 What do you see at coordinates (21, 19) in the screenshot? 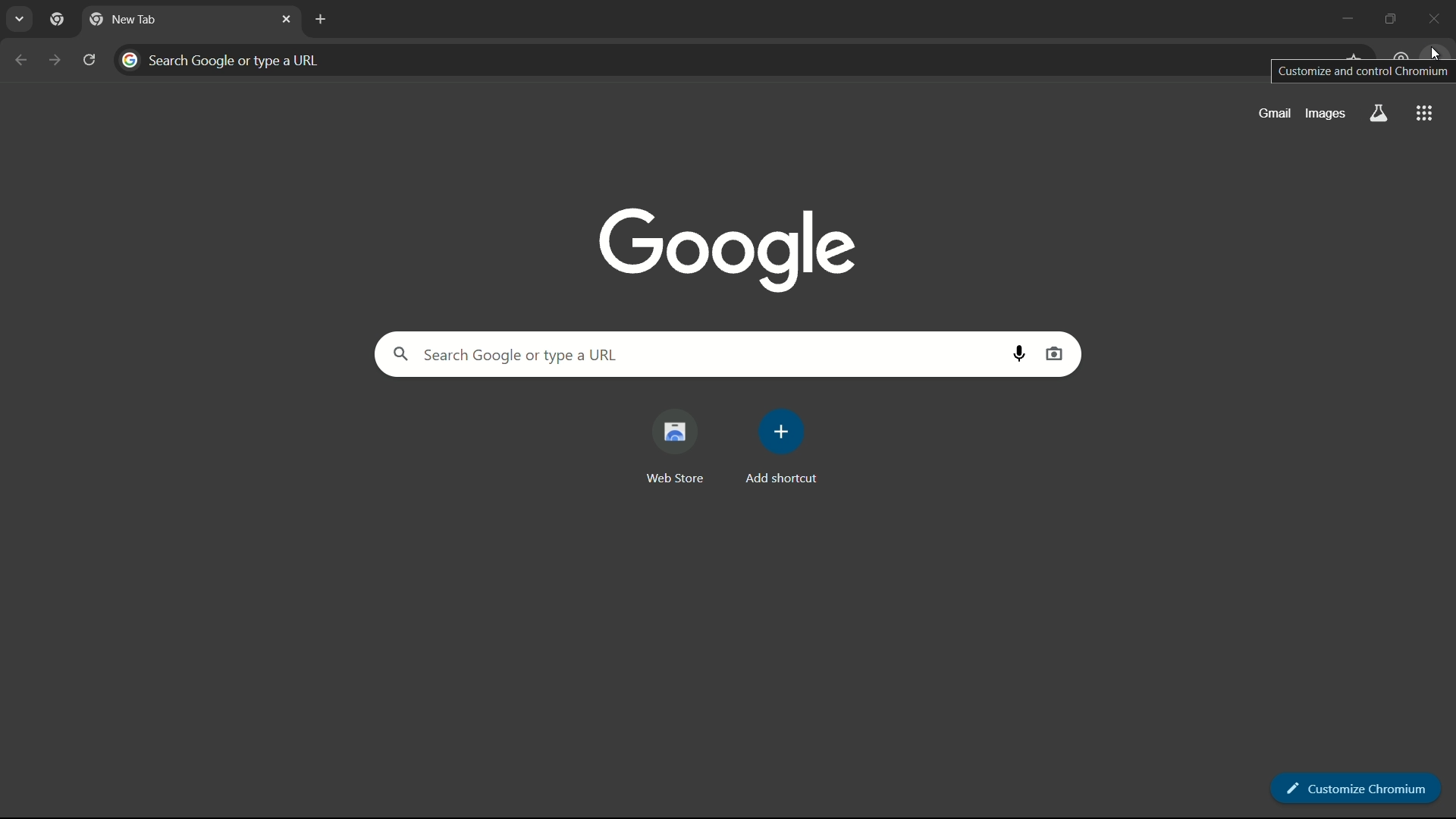
I see `tabs` at bounding box center [21, 19].